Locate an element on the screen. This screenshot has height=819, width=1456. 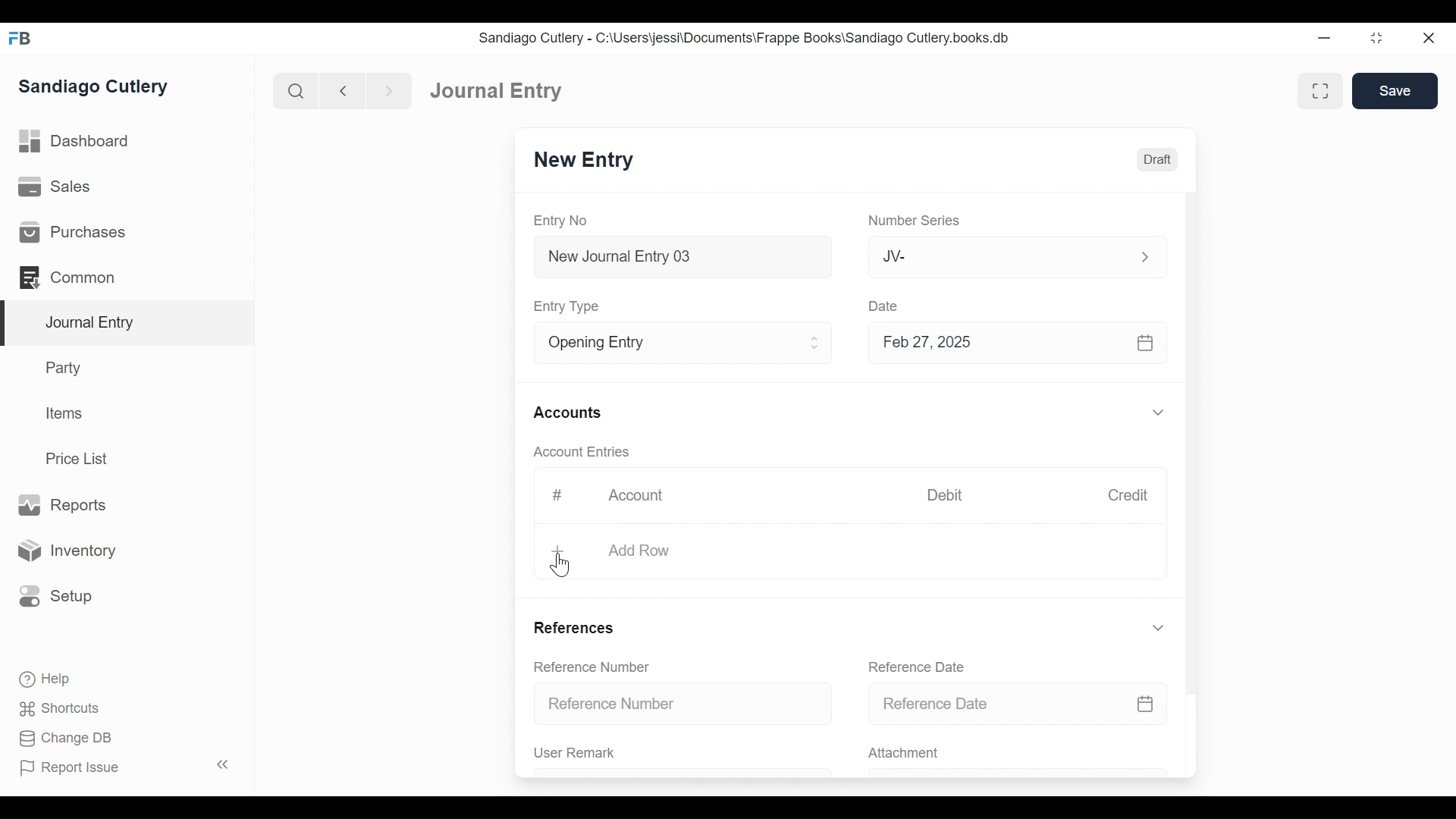
Cursor is located at coordinates (564, 568).